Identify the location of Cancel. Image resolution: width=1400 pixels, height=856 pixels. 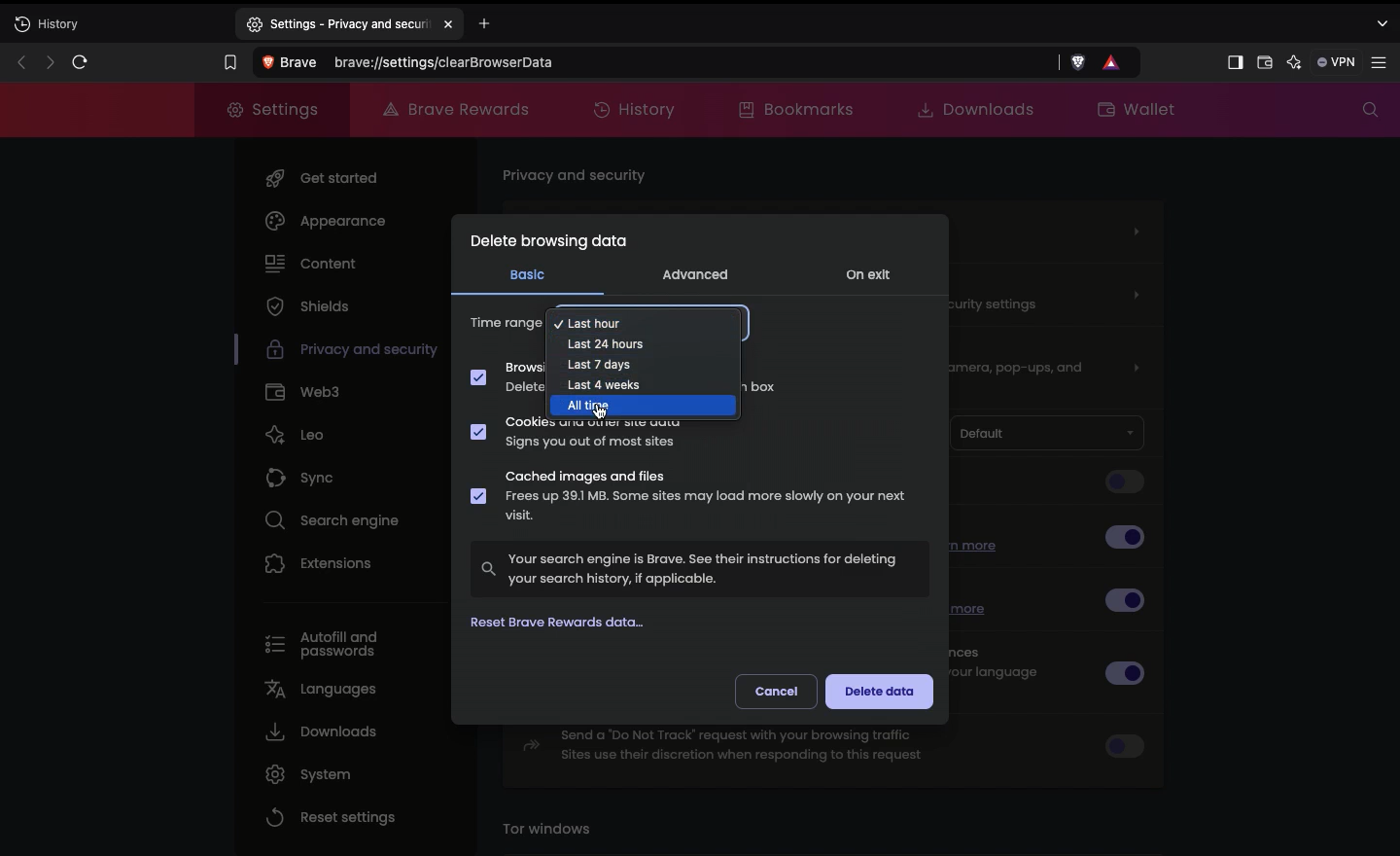
(777, 690).